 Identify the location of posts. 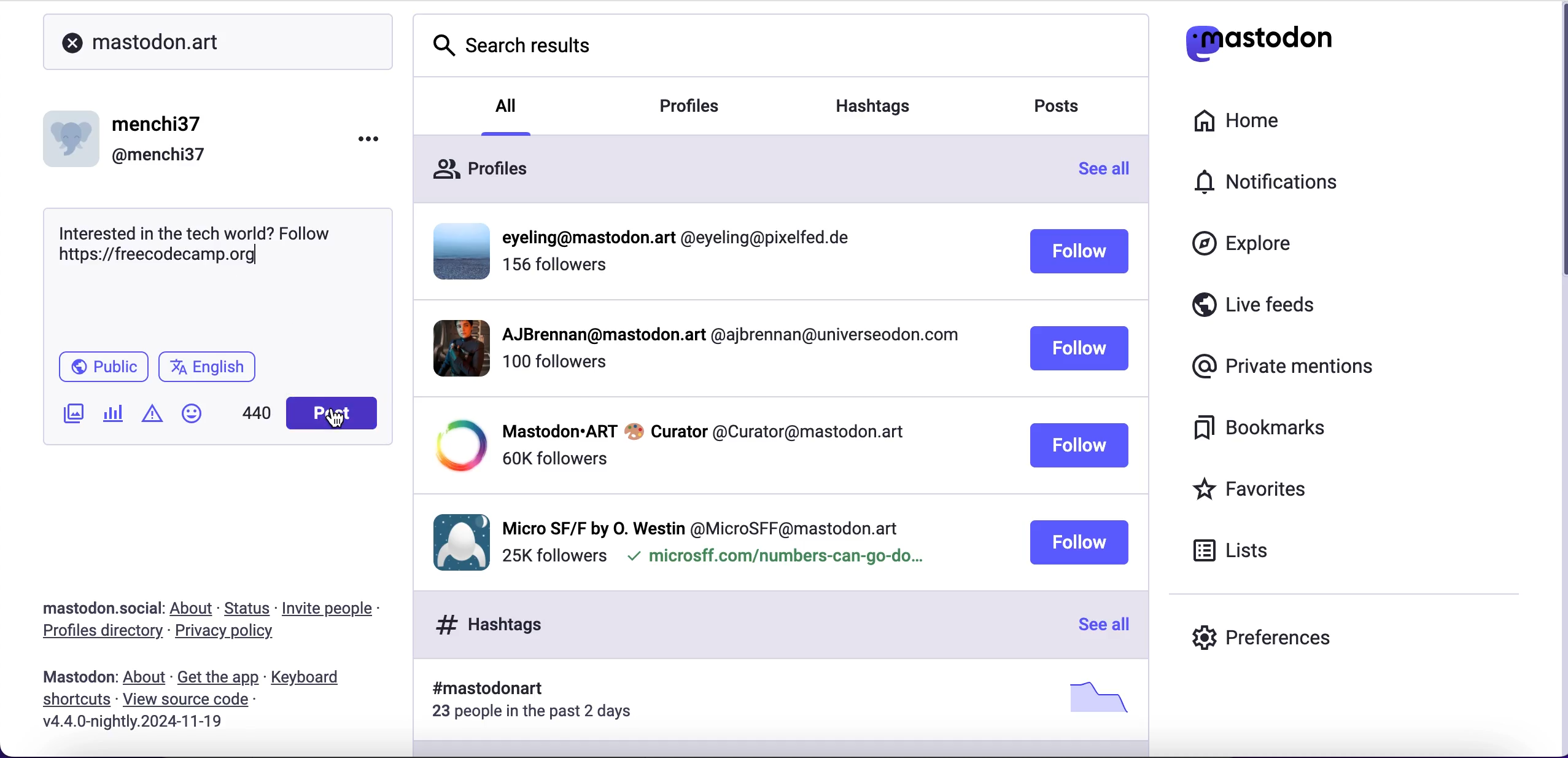
(1052, 107).